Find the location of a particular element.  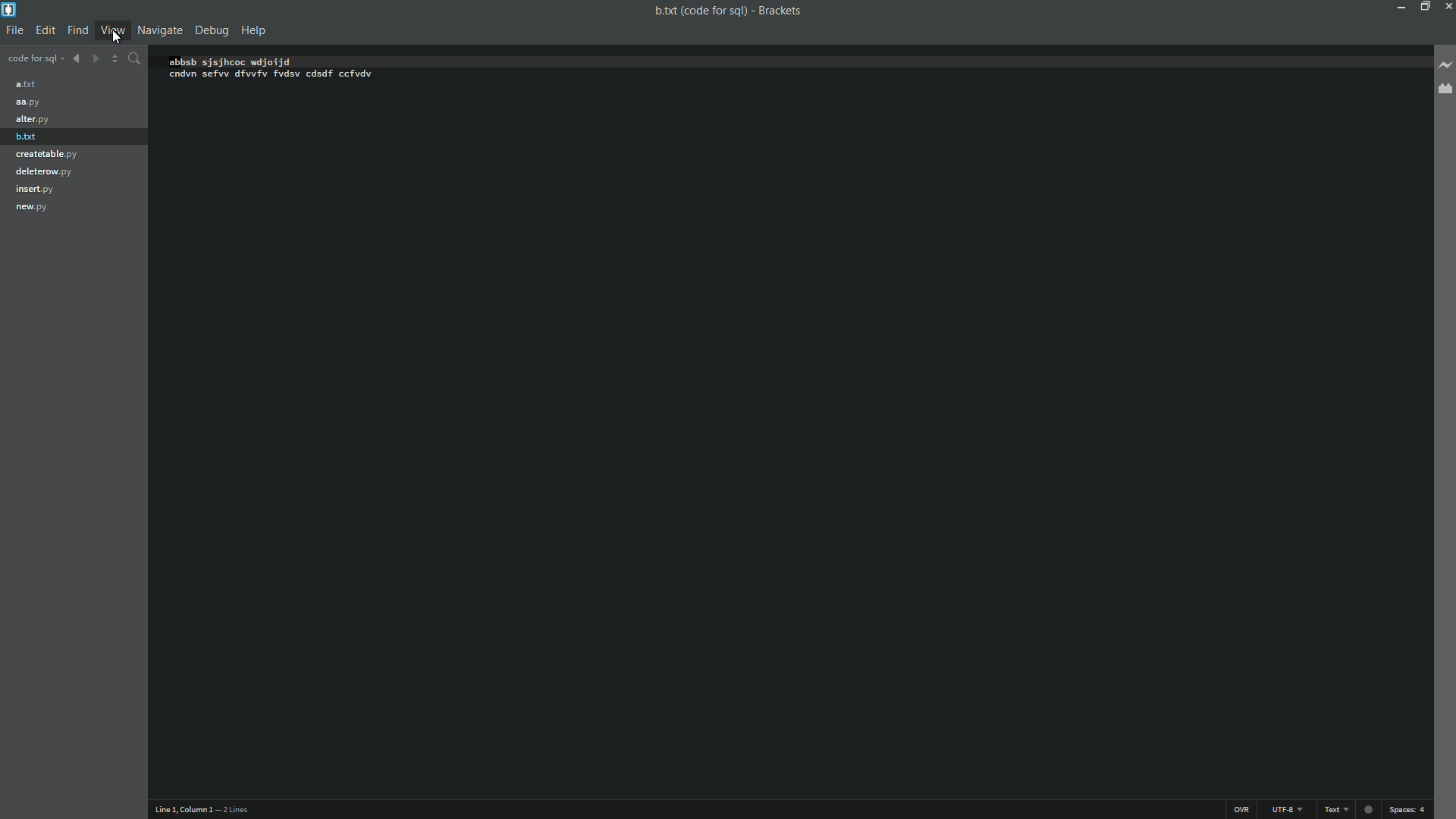

Number of lines is located at coordinates (236, 811).